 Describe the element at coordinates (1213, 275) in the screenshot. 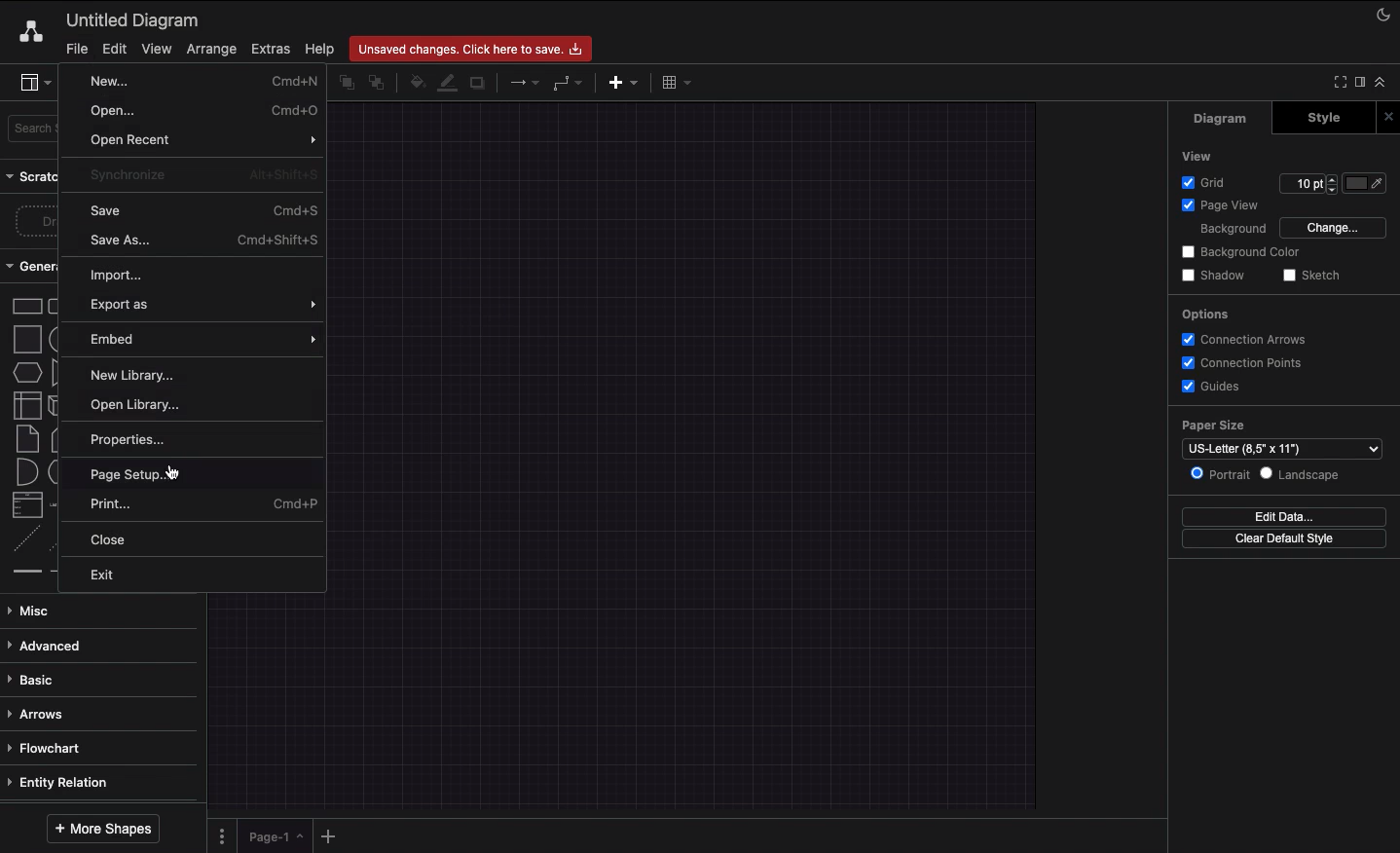

I see `Shadow` at that location.